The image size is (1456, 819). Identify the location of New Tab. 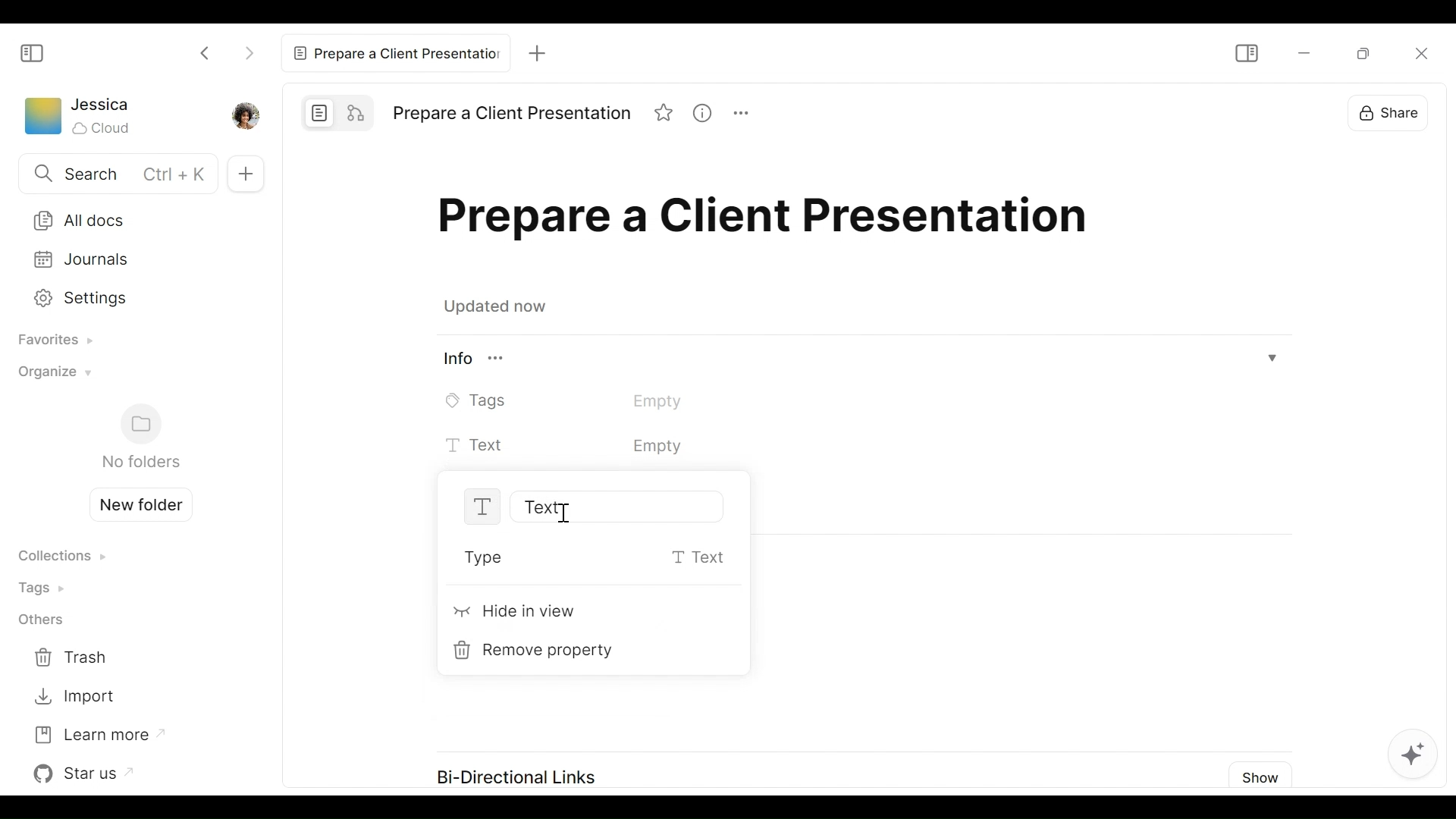
(541, 52).